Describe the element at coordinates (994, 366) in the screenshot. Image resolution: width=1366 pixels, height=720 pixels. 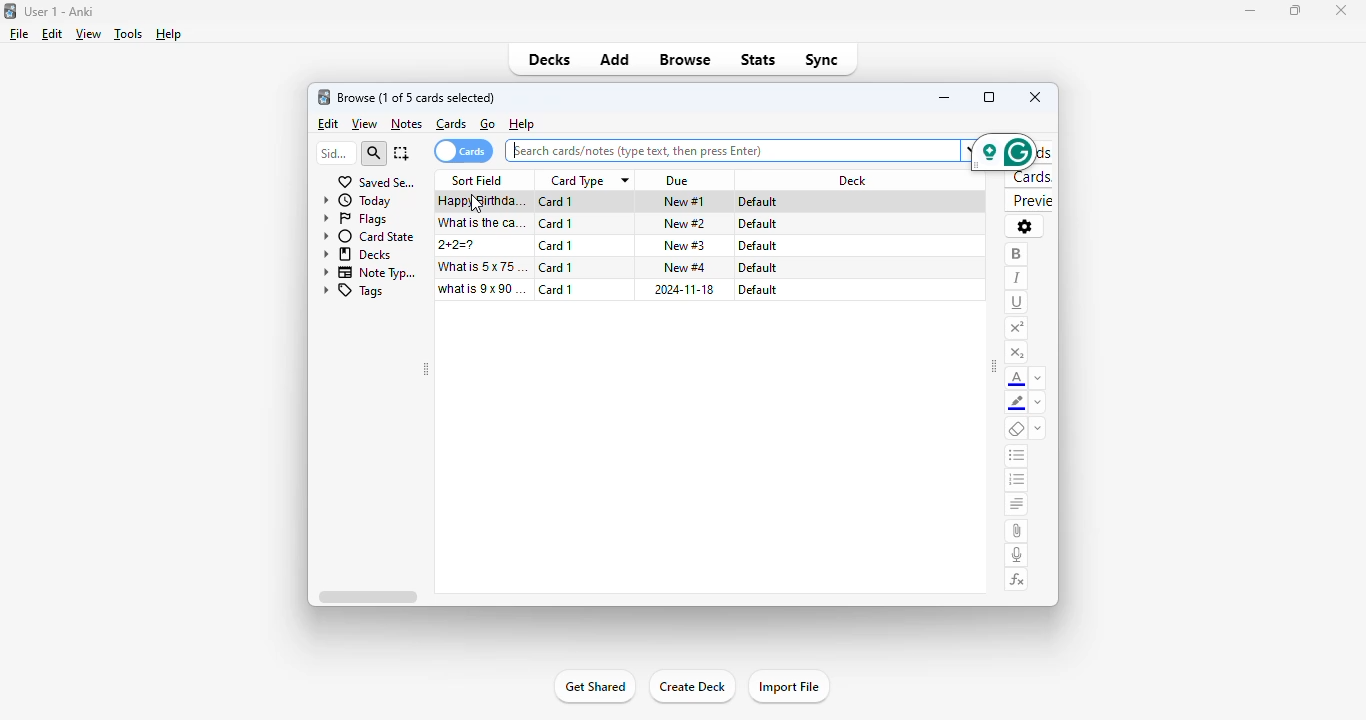
I see `toggle side bar` at that location.